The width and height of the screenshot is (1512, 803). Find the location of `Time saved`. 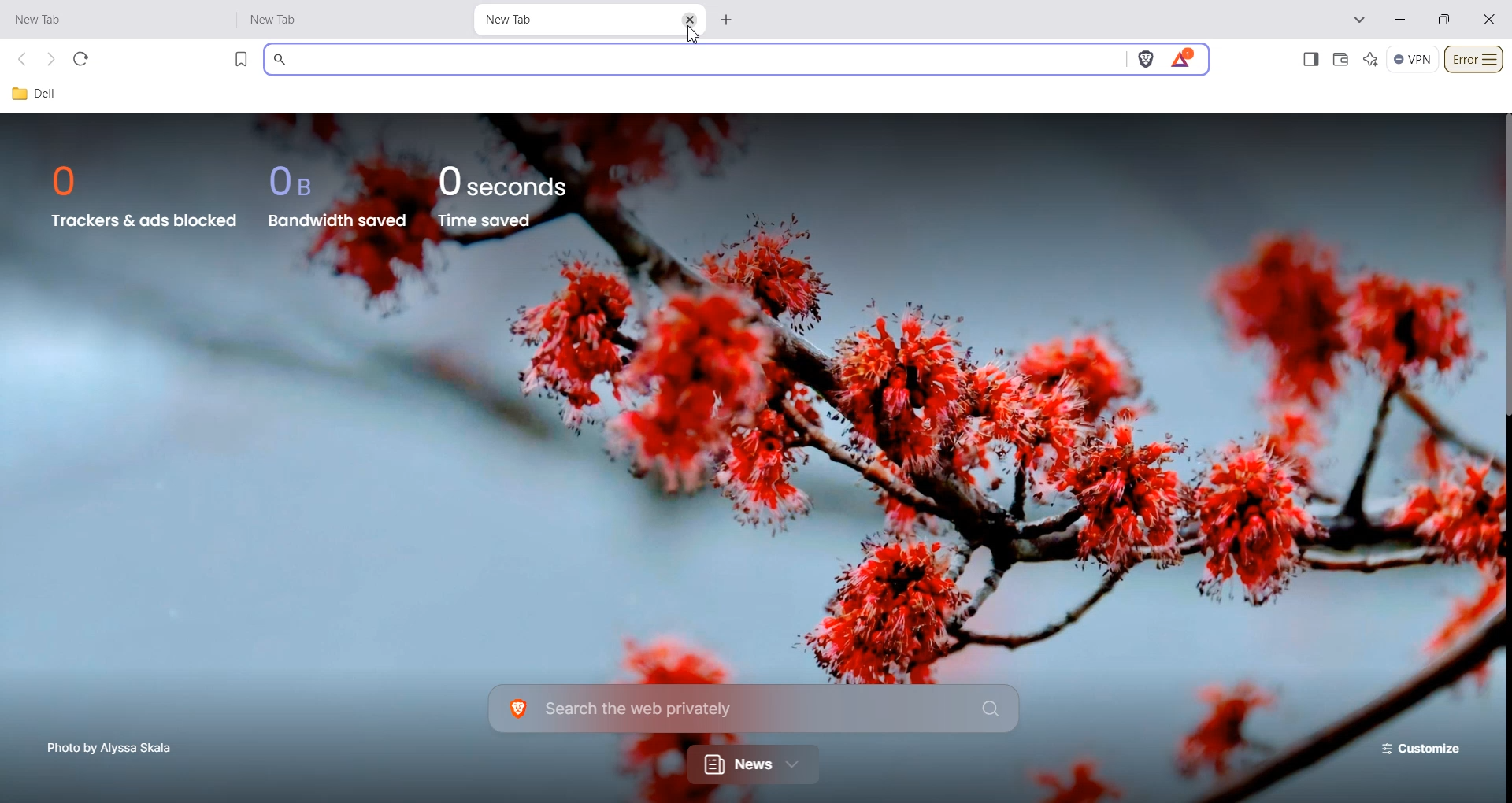

Time saved is located at coordinates (485, 220).